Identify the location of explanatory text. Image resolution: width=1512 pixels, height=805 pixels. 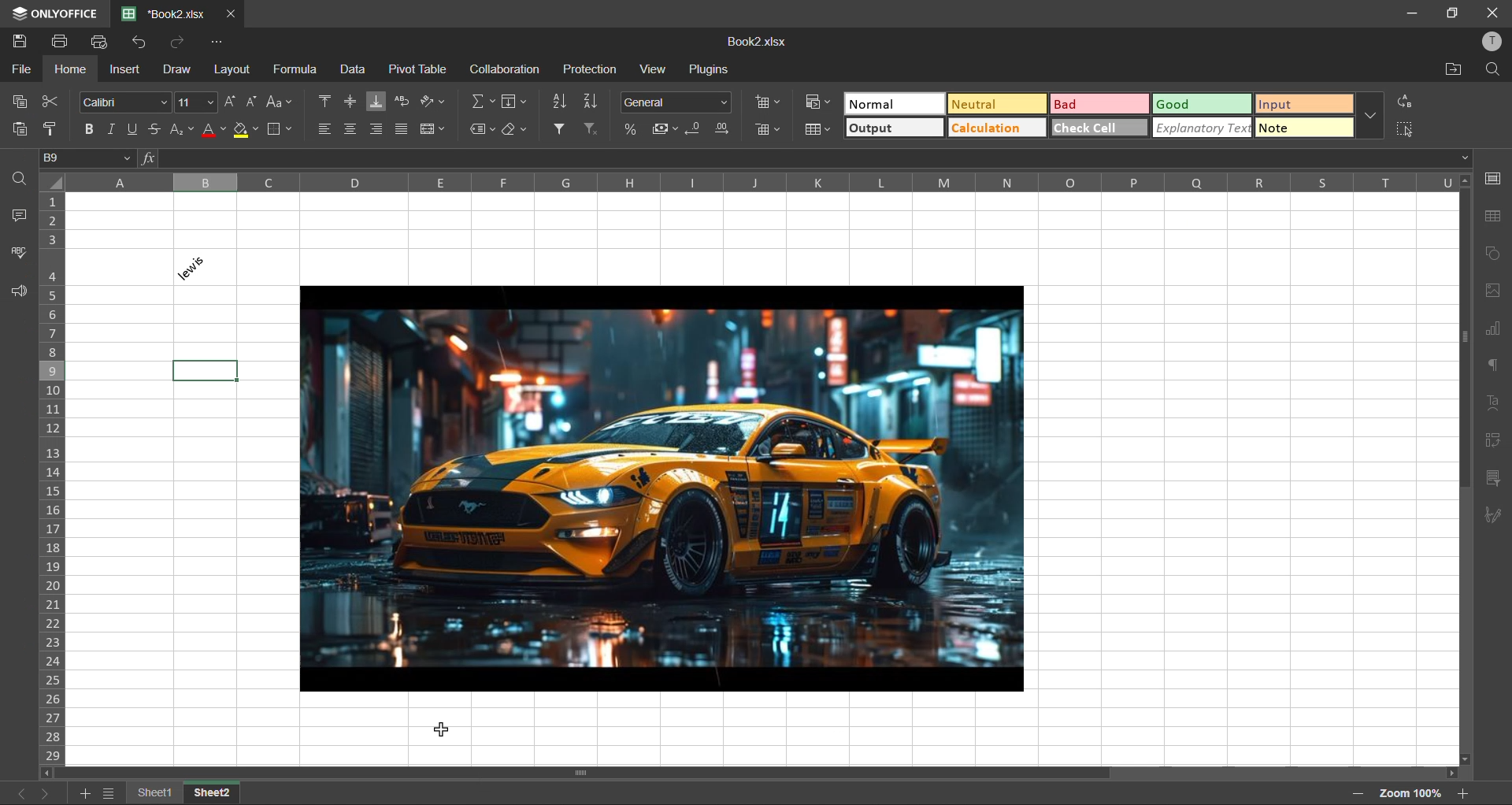
(1202, 127).